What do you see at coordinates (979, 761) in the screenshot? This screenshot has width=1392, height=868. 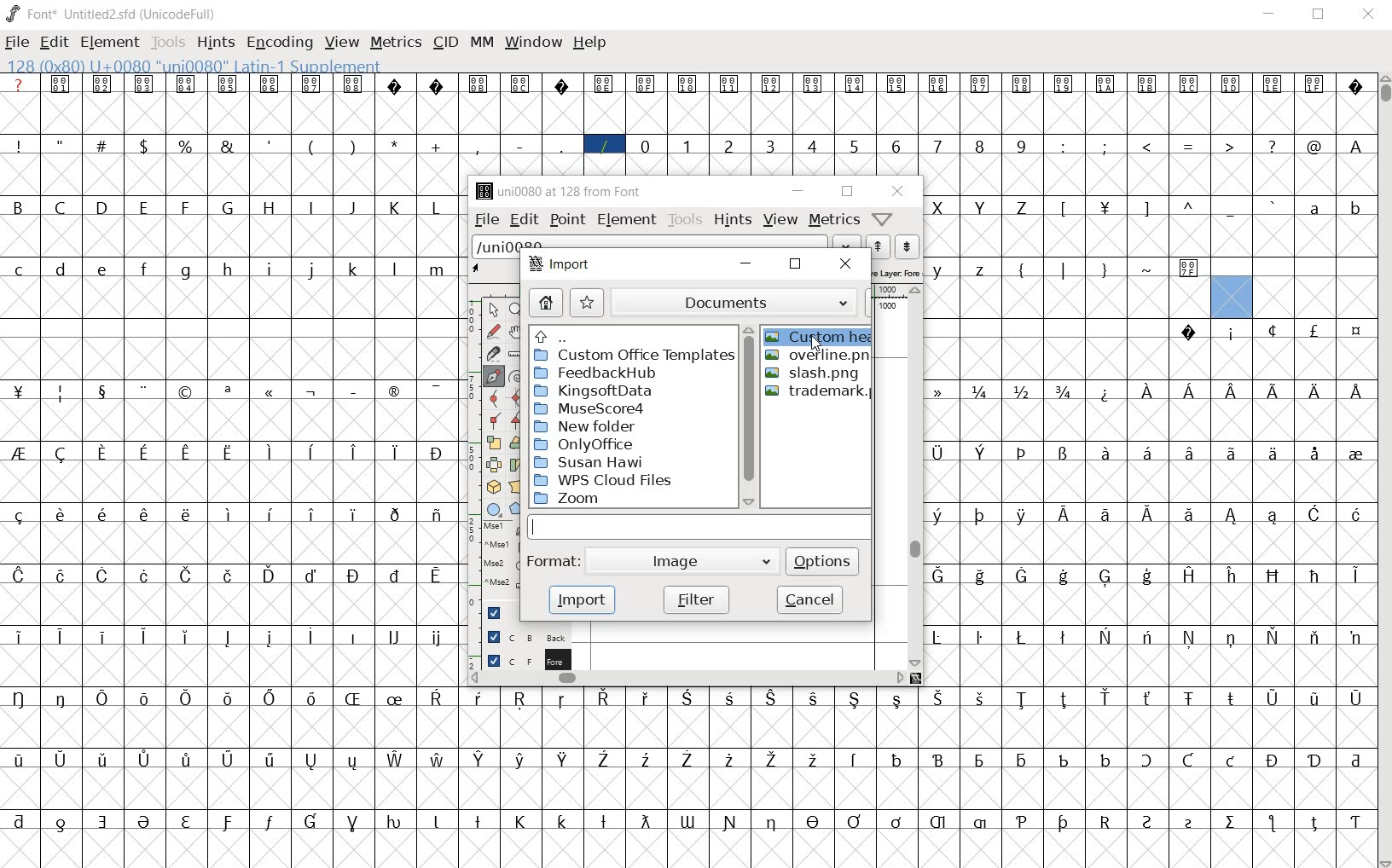 I see `glyph` at bounding box center [979, 761].